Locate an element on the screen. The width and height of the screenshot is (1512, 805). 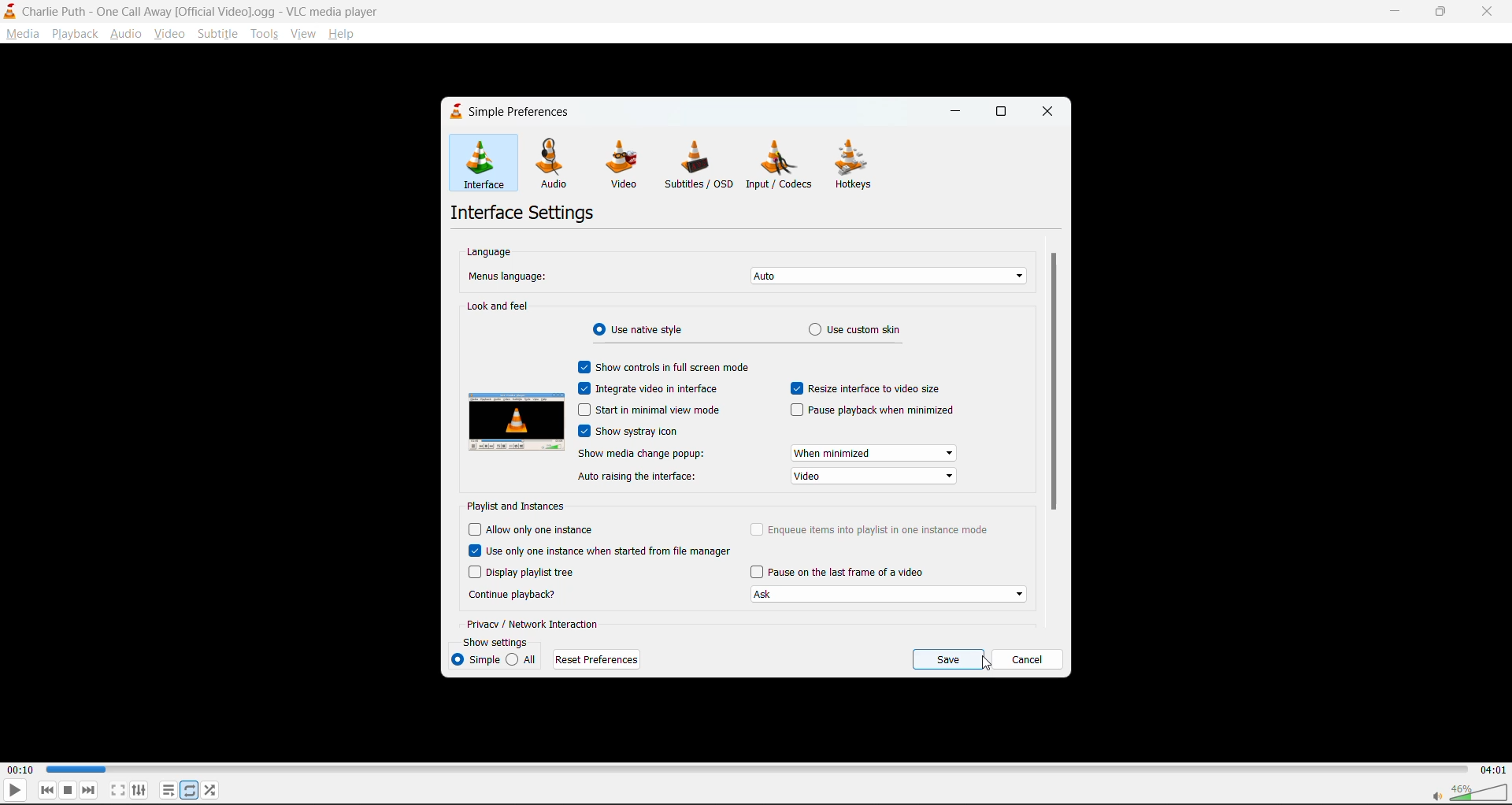
allow only one instance is located at coordinates (546, 531).